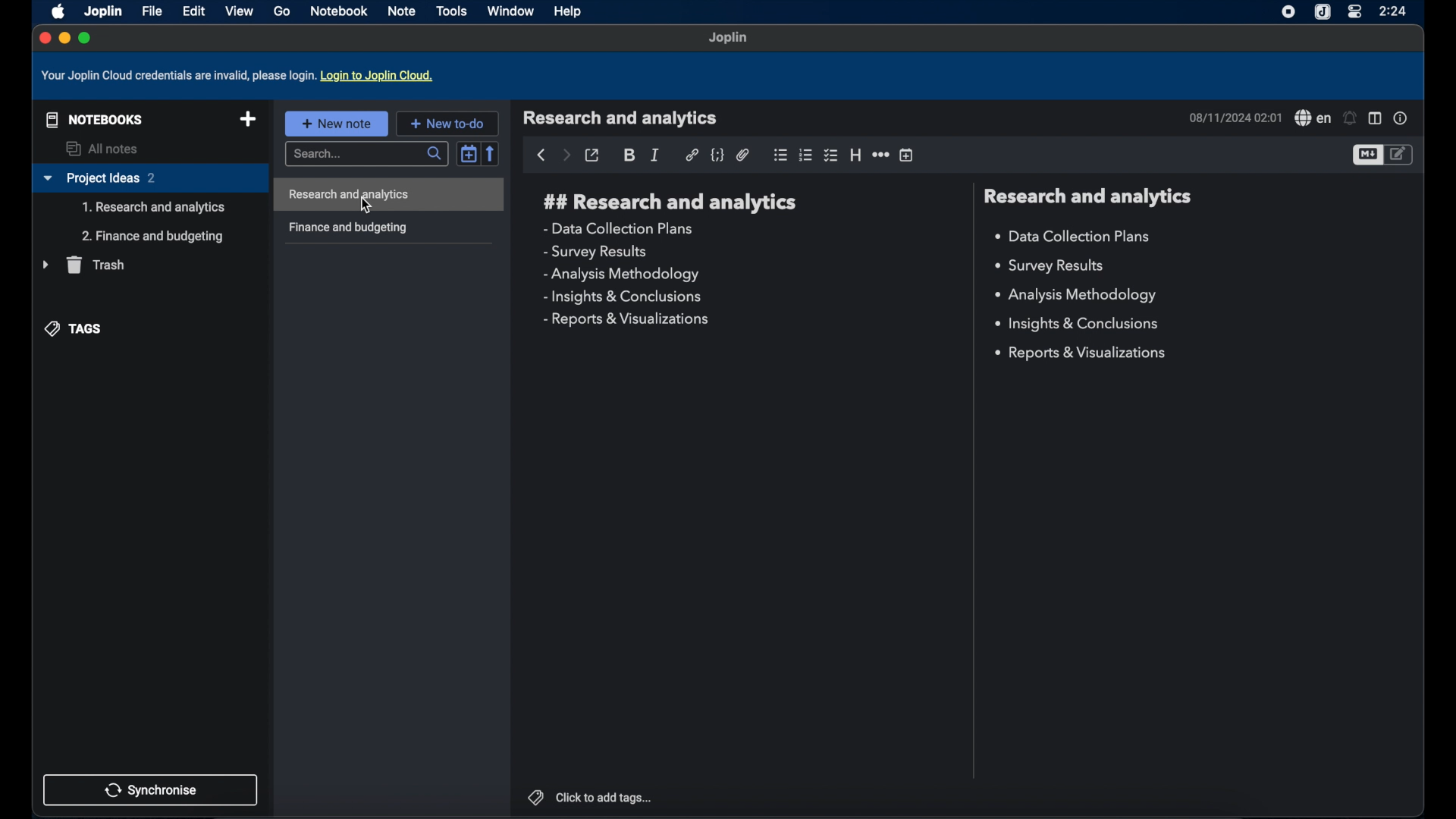 This screenshot has width=1456, height=819. Describe the element at coordinates (1354, 12) in the screenshot. I see `control center` at that location.